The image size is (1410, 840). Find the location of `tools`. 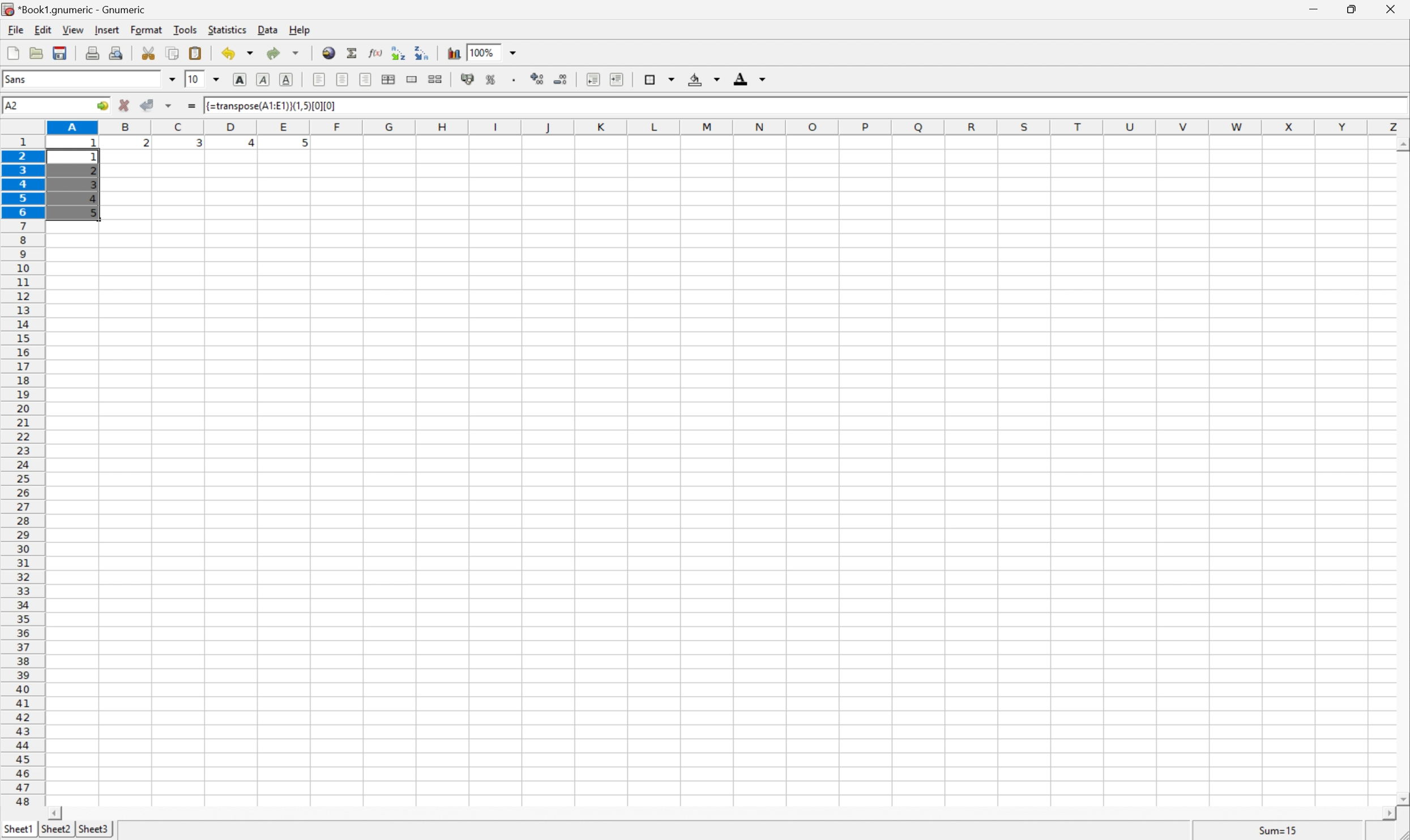

tools is located at coordinates (186, 30).